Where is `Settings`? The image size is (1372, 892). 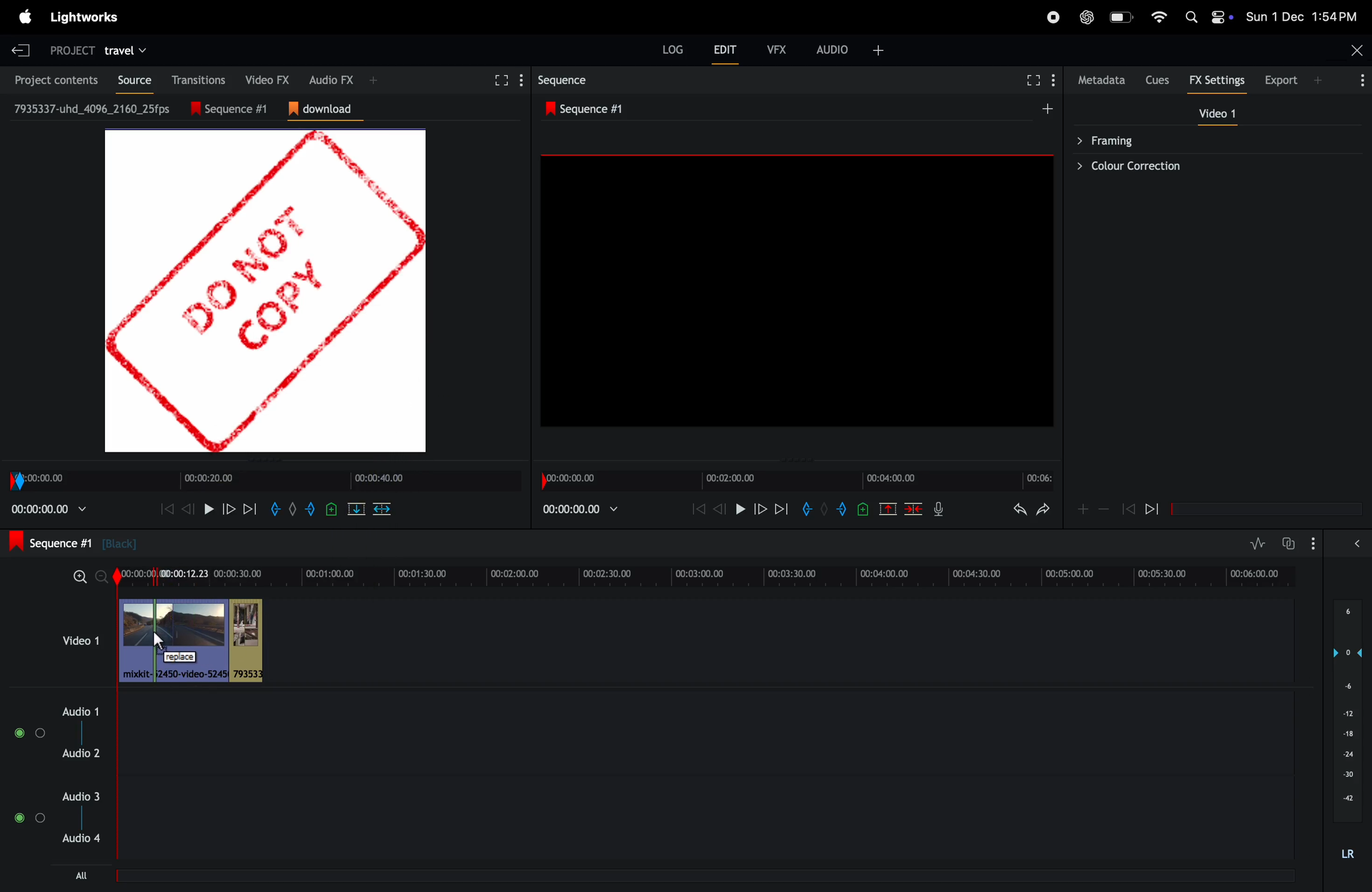 Settings is located at coordinates (1053, 80).